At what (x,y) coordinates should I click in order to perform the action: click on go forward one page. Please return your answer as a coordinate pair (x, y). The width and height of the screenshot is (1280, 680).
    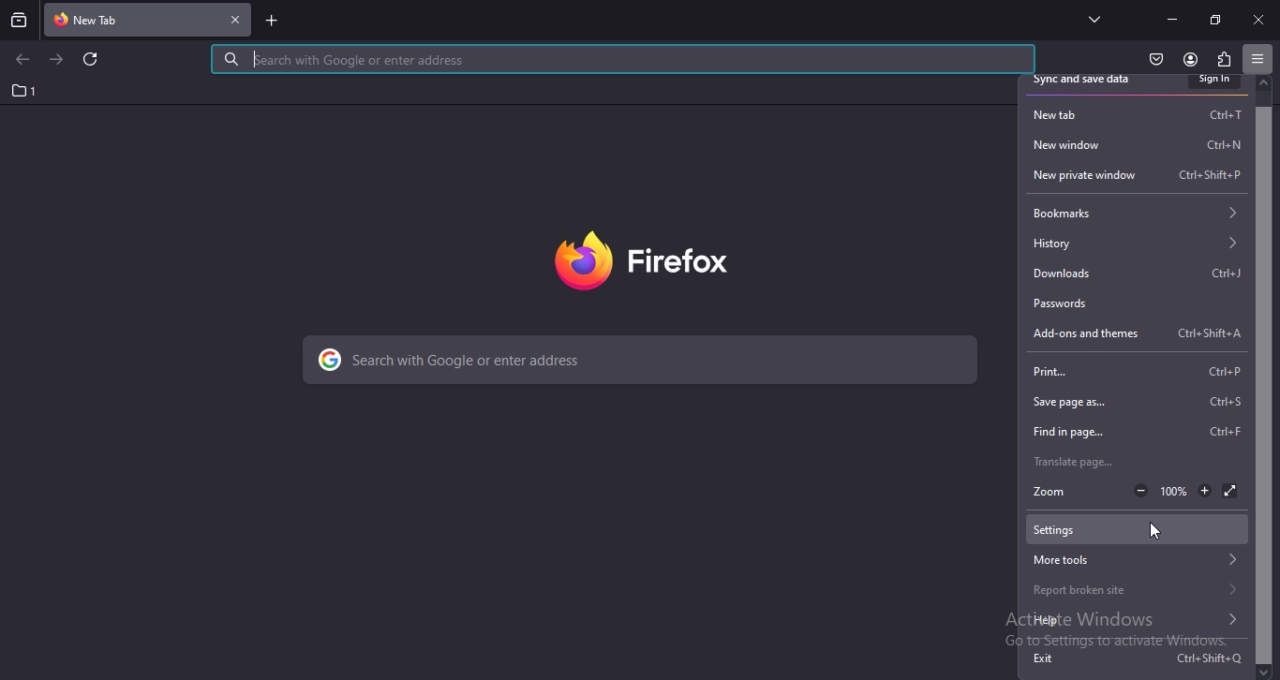
    Looking at the image, I should click on (56, 59).